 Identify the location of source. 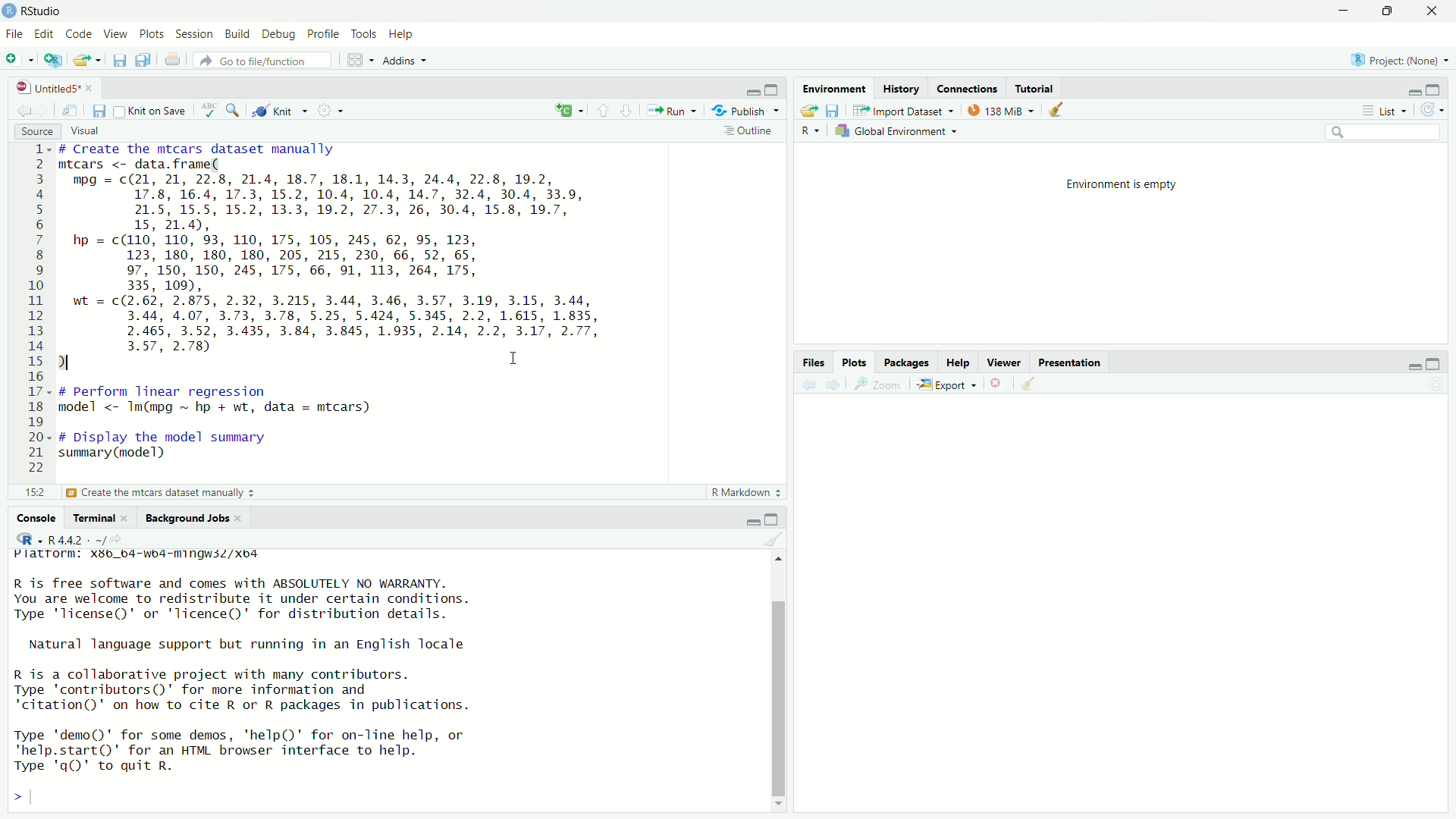
(36, 133).